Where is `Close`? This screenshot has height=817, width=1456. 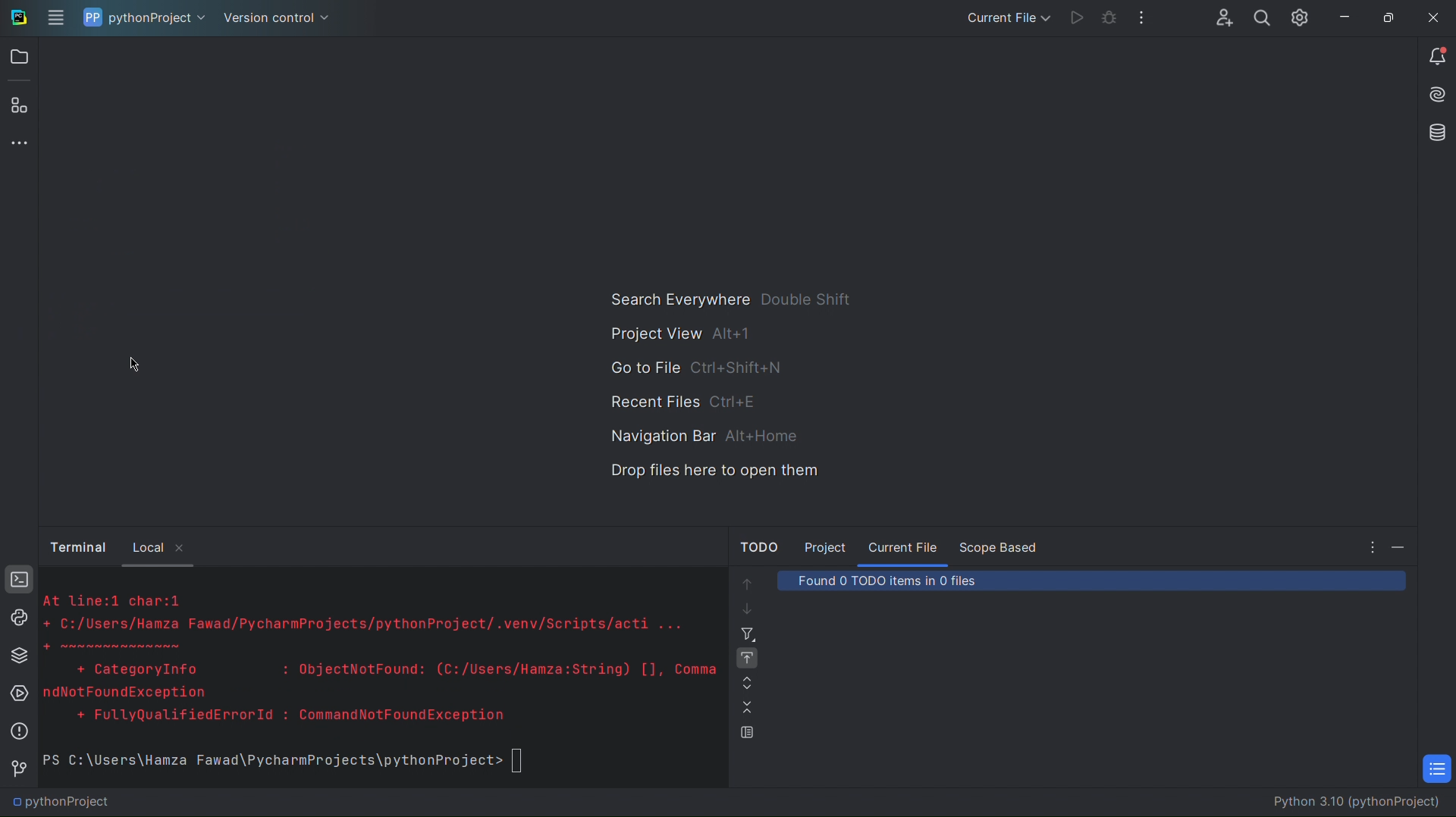 Close is located at coordinates (1432, 17).